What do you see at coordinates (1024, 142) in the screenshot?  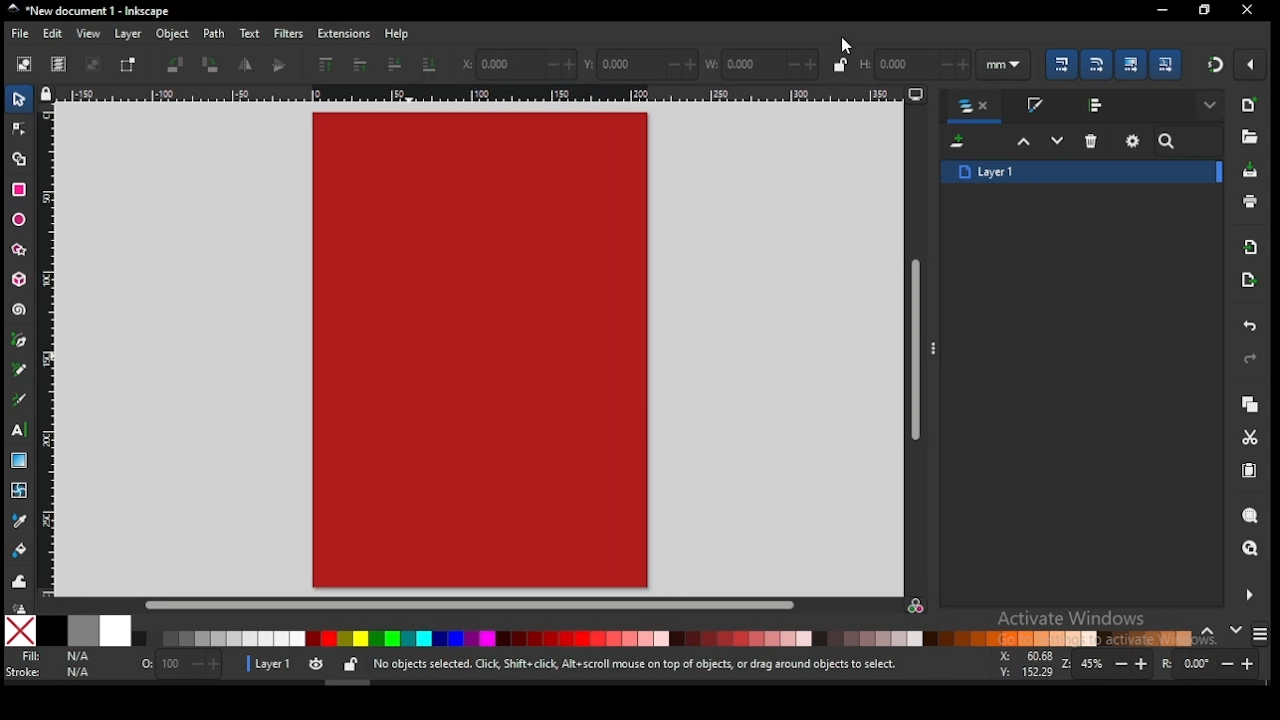 I see `raiseselection one step` at bounding box center [1024, 142].